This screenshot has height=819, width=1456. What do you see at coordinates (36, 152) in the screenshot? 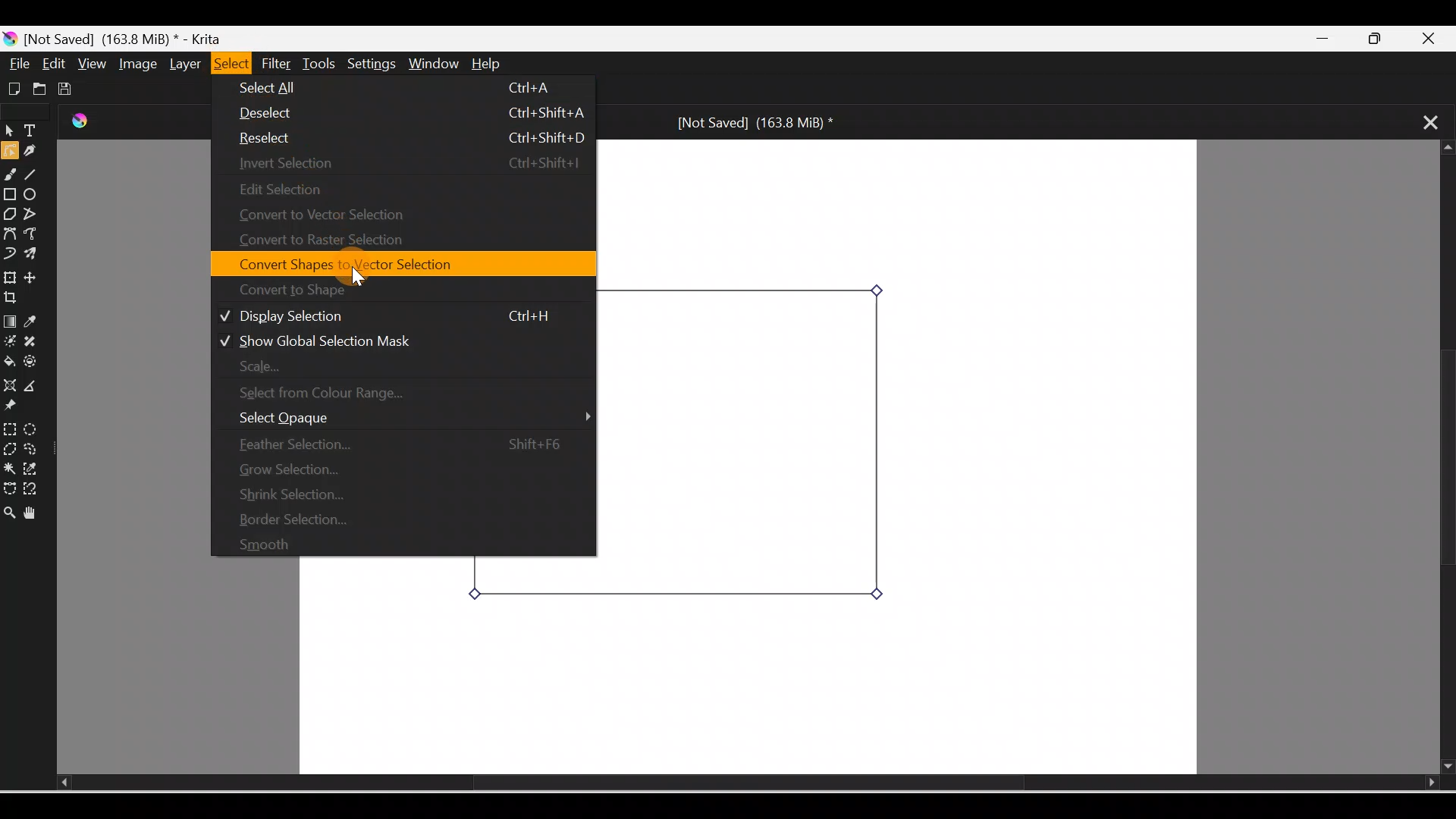
I see `Calligraphy` at bounding box center [36, 152].